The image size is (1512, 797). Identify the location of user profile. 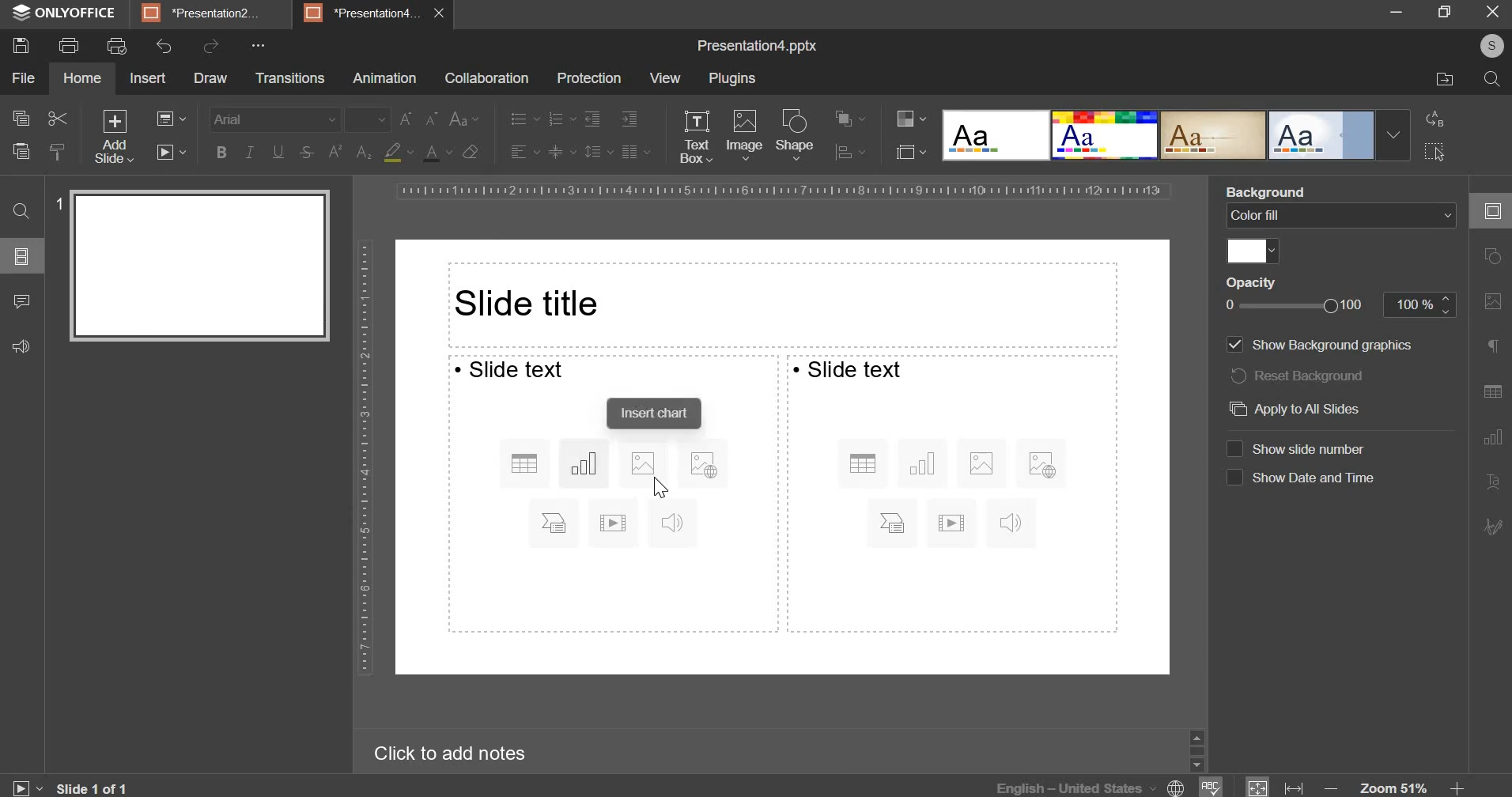
(1491, 46).